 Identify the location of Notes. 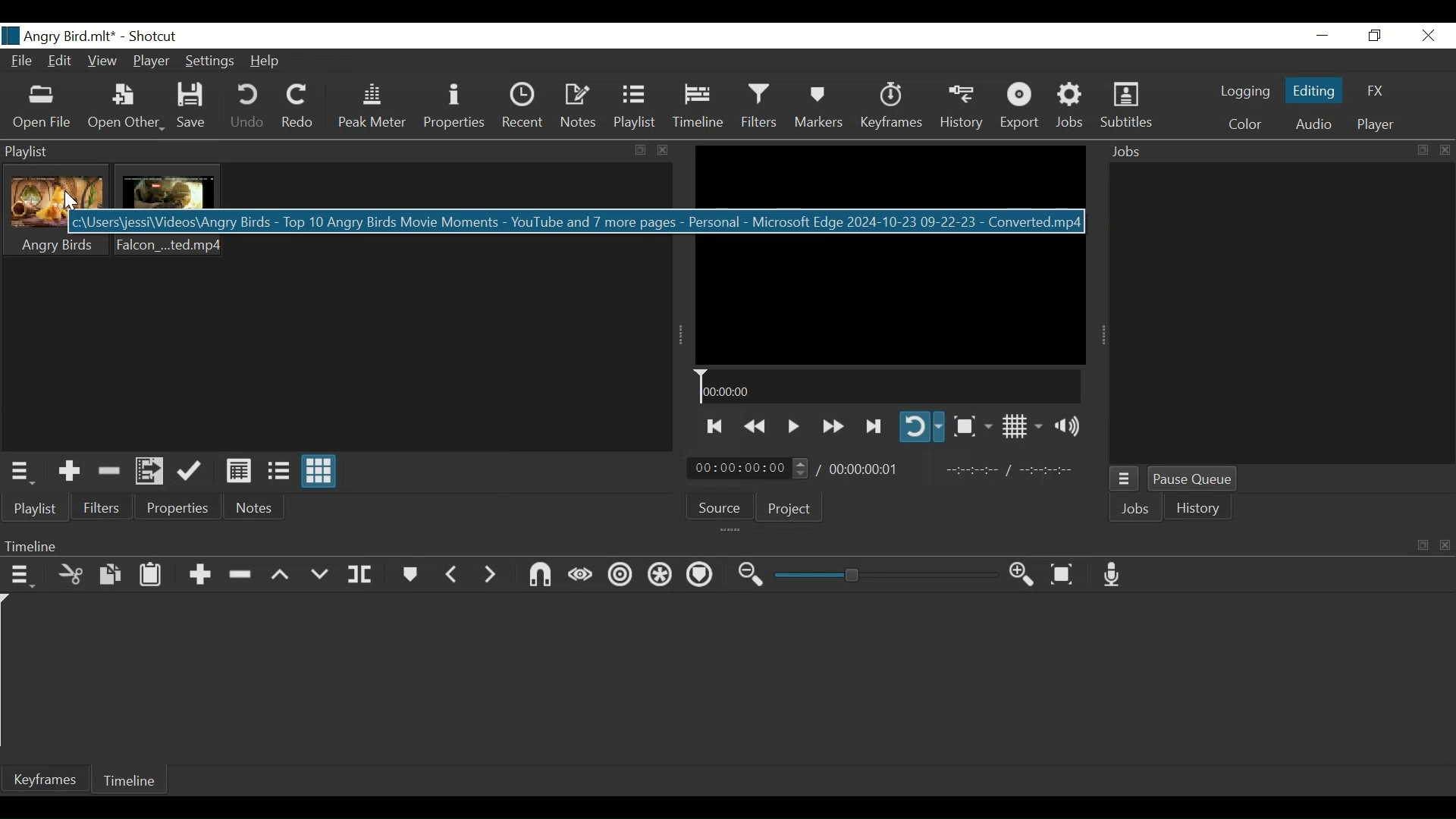
(581, 108).